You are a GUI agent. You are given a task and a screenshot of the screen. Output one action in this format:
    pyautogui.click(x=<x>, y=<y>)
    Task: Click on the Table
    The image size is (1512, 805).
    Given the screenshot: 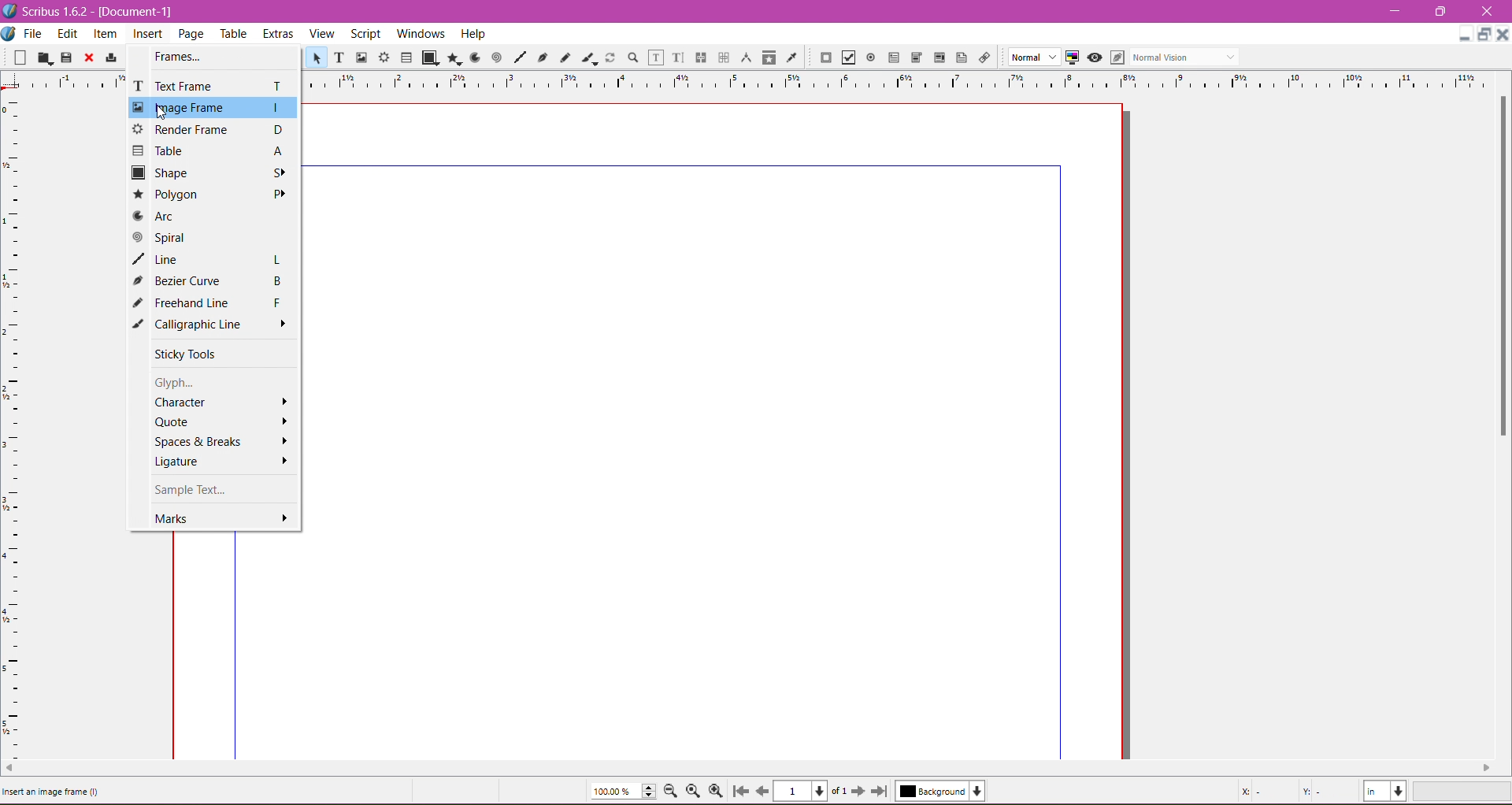 What is the action you would take?
    pyautogui.click(x=213, y=150)
    